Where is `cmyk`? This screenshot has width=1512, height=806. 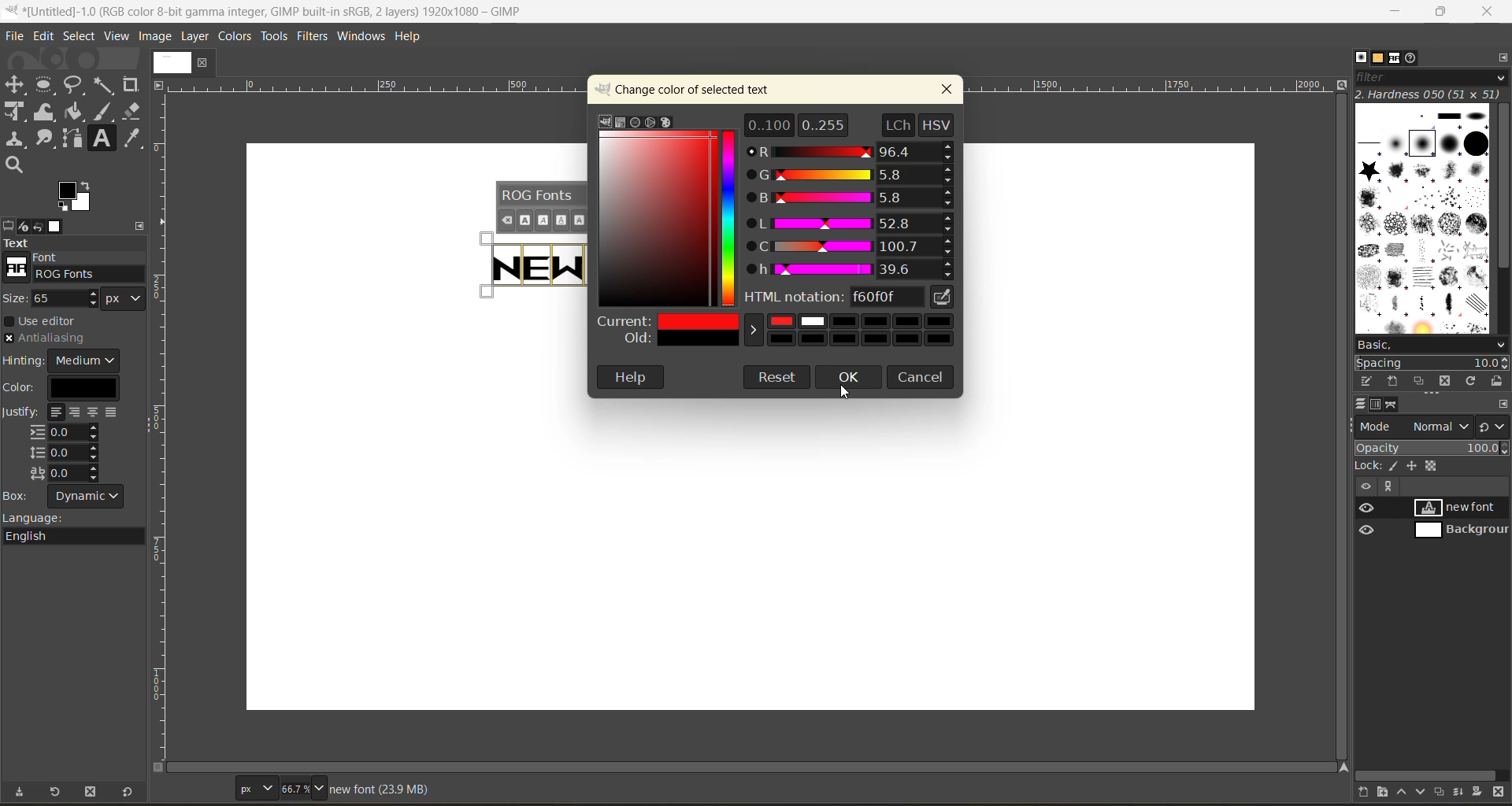 cmyk is located at coordinates (618, 123).